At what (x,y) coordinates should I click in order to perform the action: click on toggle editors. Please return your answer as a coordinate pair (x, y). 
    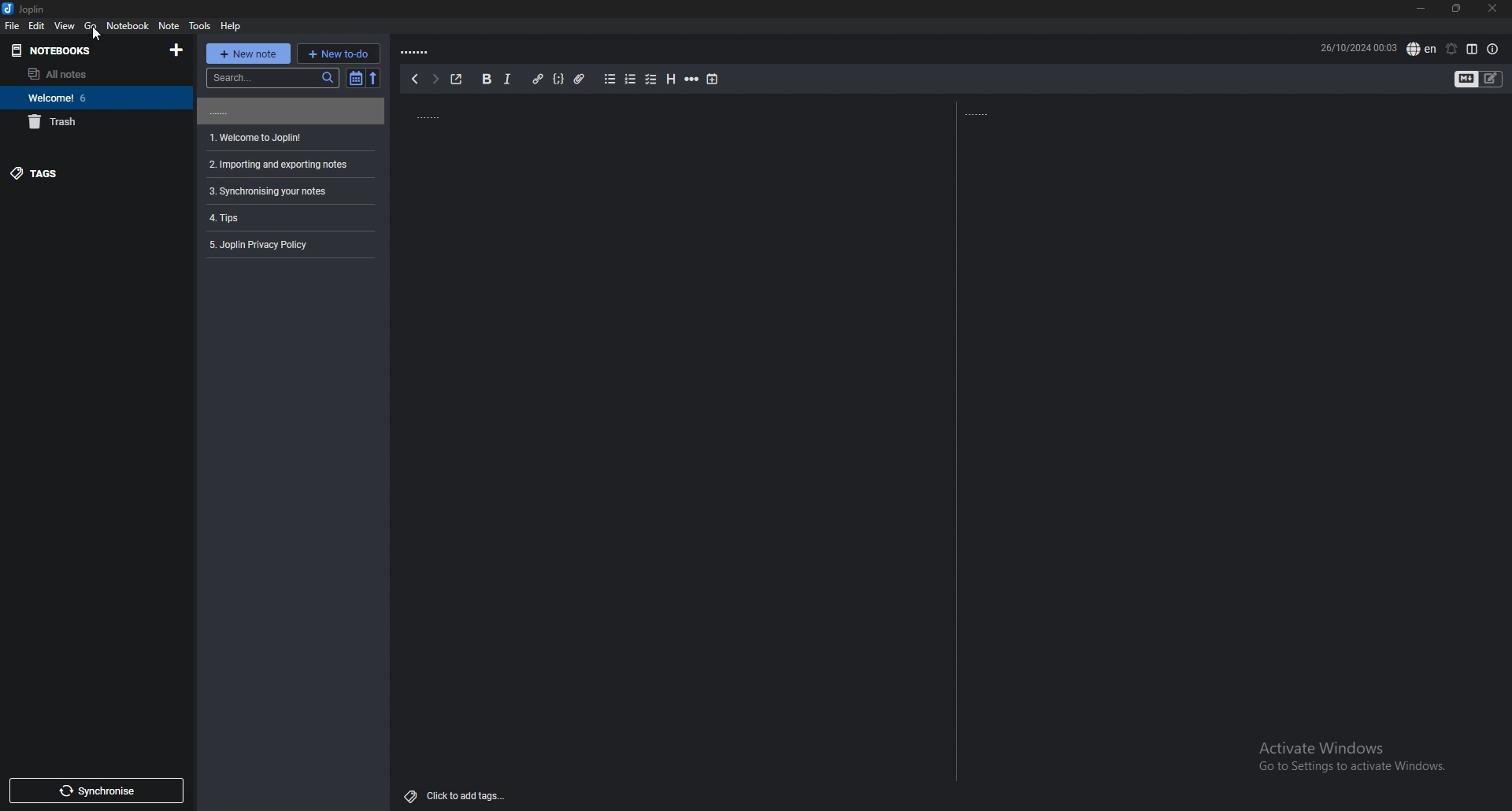
    Looking at the image, I should click on (1467, 80).